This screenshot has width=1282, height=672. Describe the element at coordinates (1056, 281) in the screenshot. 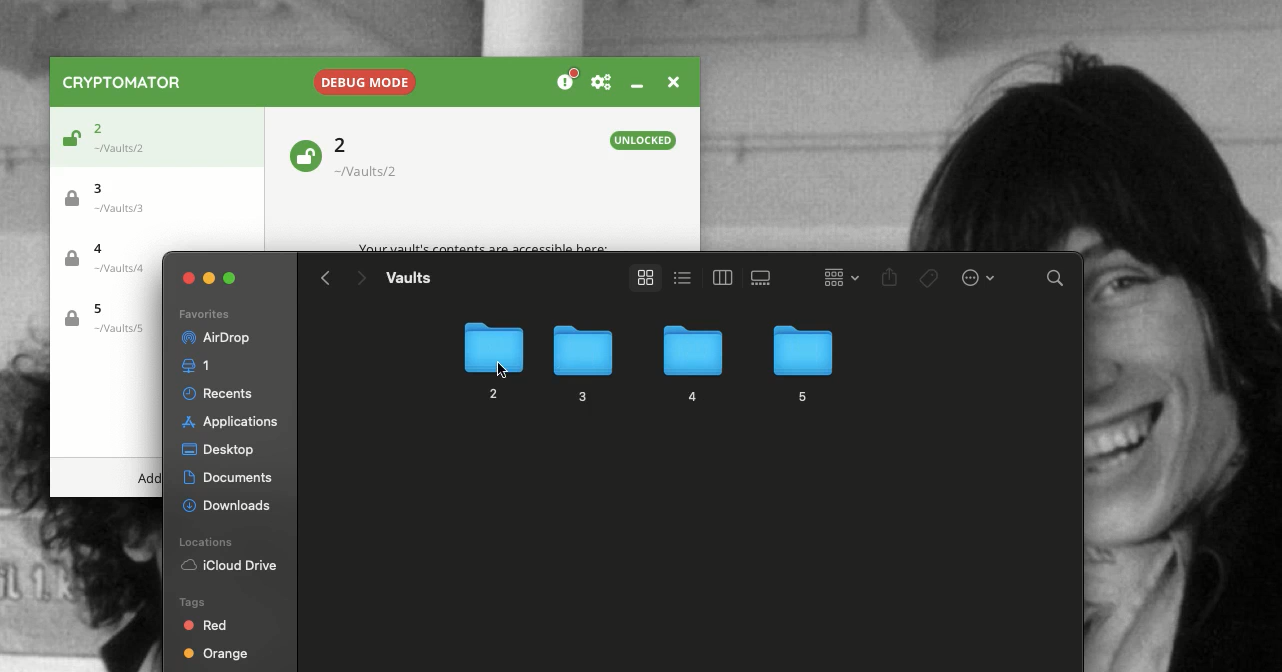

I see `Search` at that location.